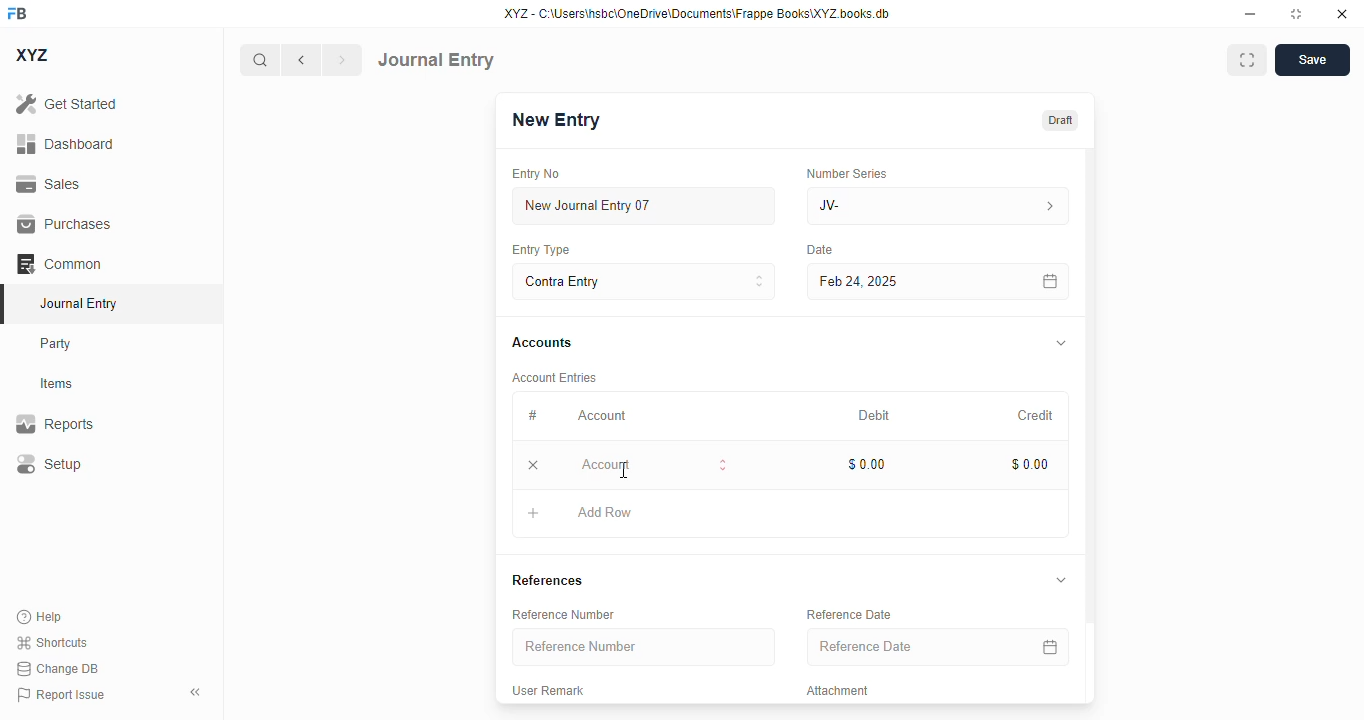 The height and width of the screenshot is (720, 1364). What do you see at coordinates (1296, 14) in the screenshot?
I see `toggle maximize` at bounding box center [1296, 14].